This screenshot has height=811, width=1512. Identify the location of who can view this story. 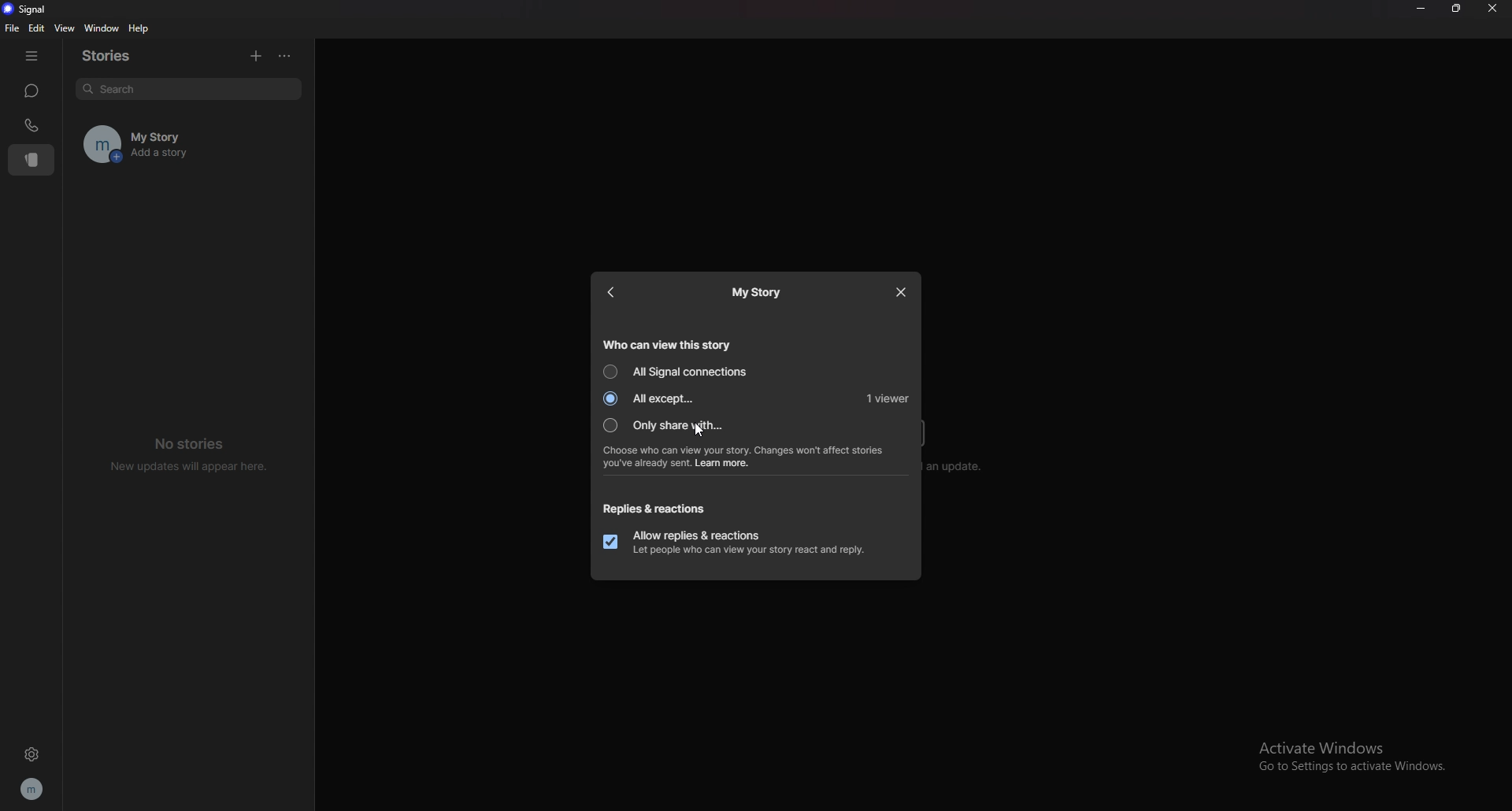
(670, 343).